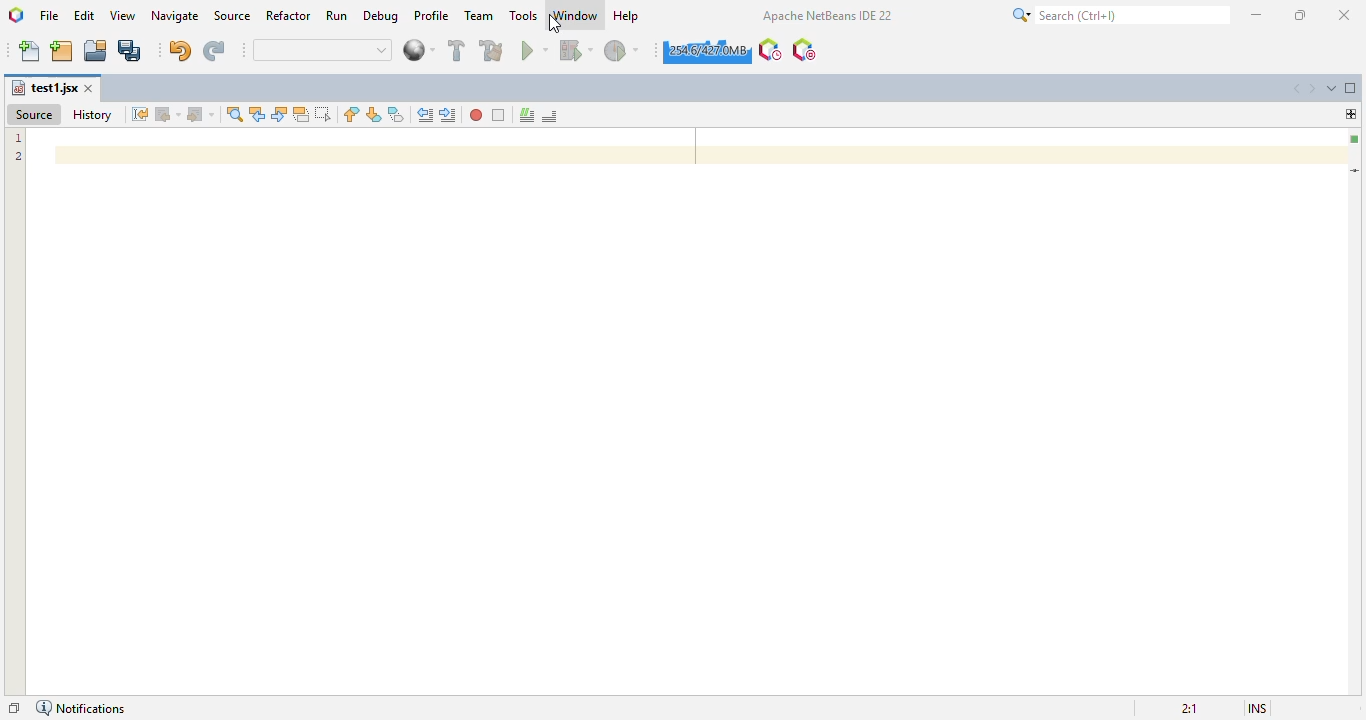  Describe the element at coordinates (234, 15) in the screenshot. I see `source` at that location.